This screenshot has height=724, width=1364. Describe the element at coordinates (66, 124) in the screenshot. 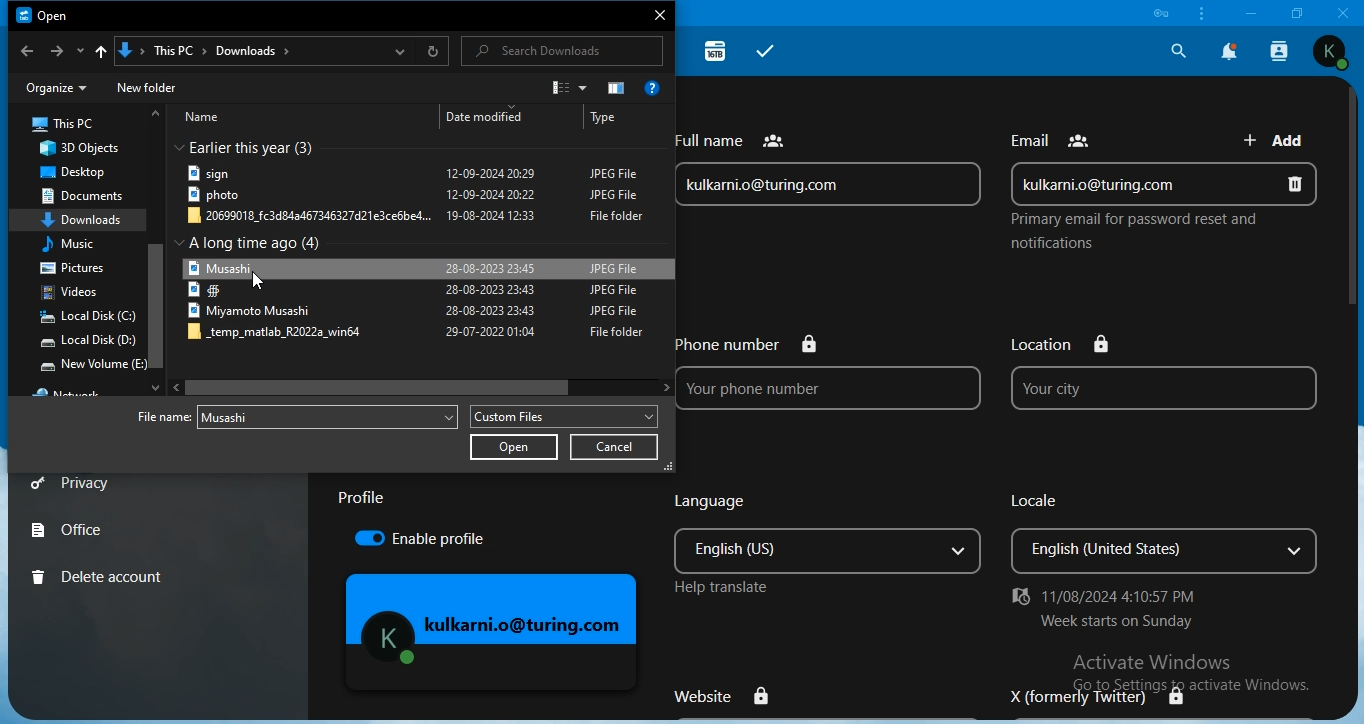

I see `this pc` at that location.